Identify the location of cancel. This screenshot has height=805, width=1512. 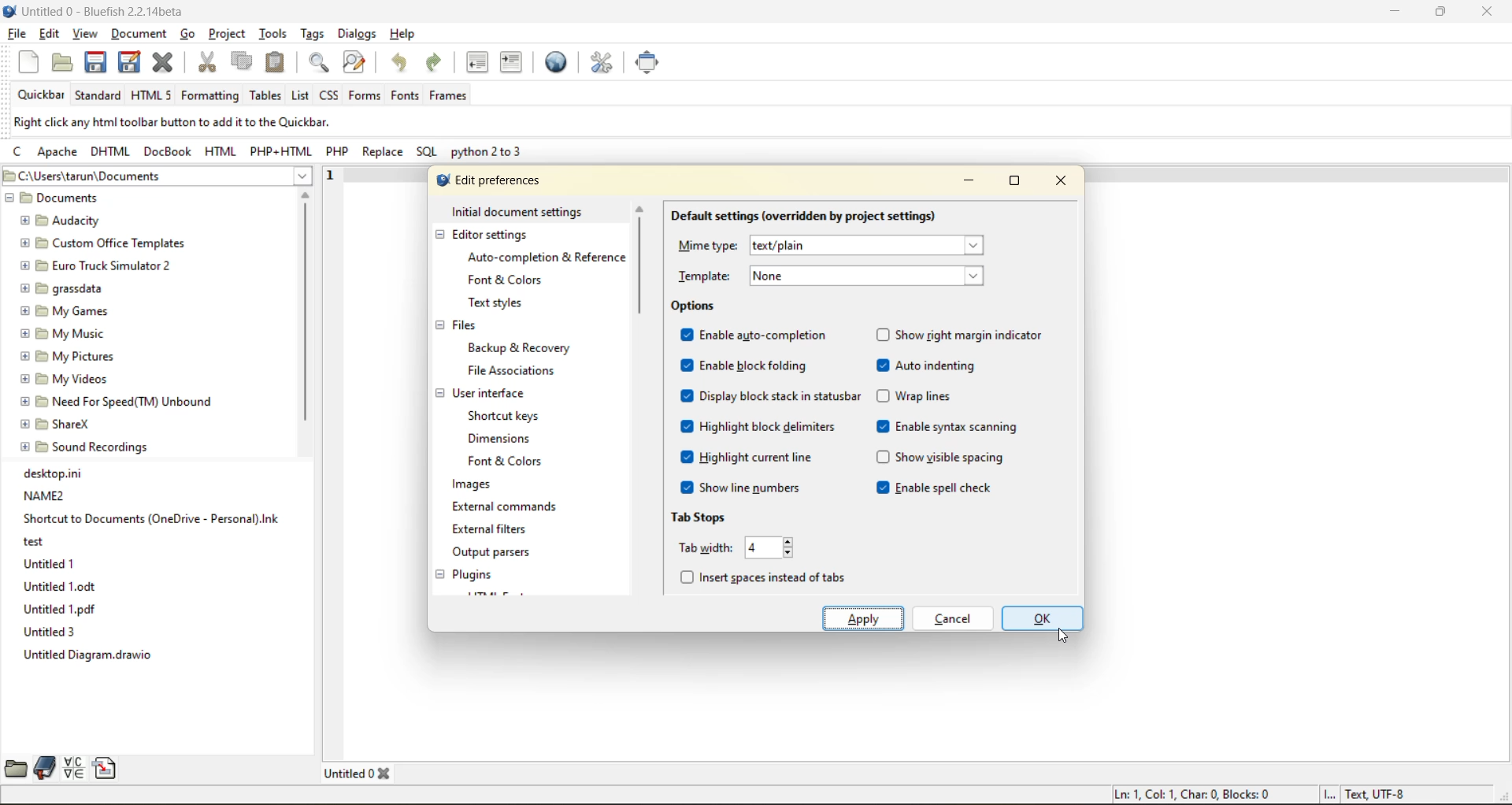
(952, 617).